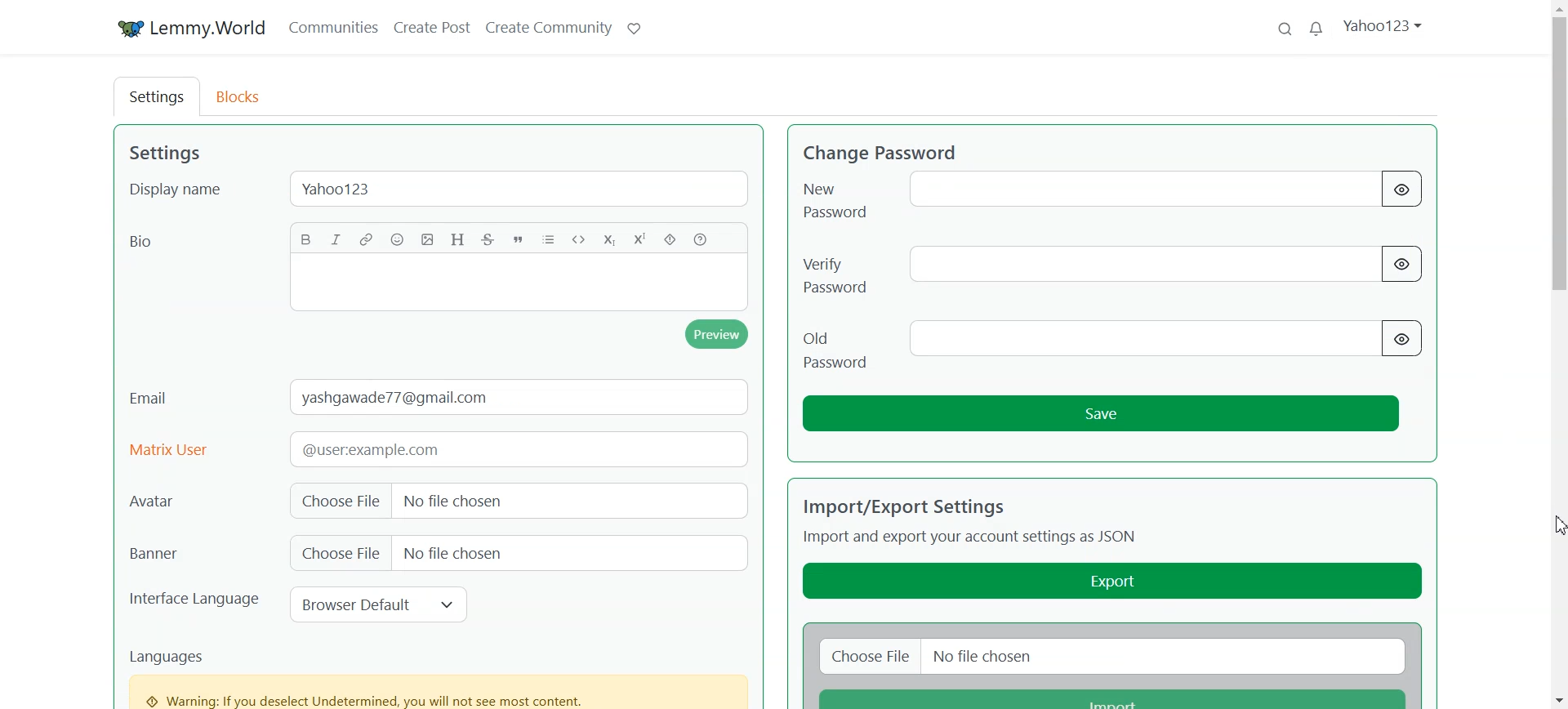 Image resolution: width=1568 pixels, height=709 pixels. I want to click on Strikethrough, so click(488, 239).